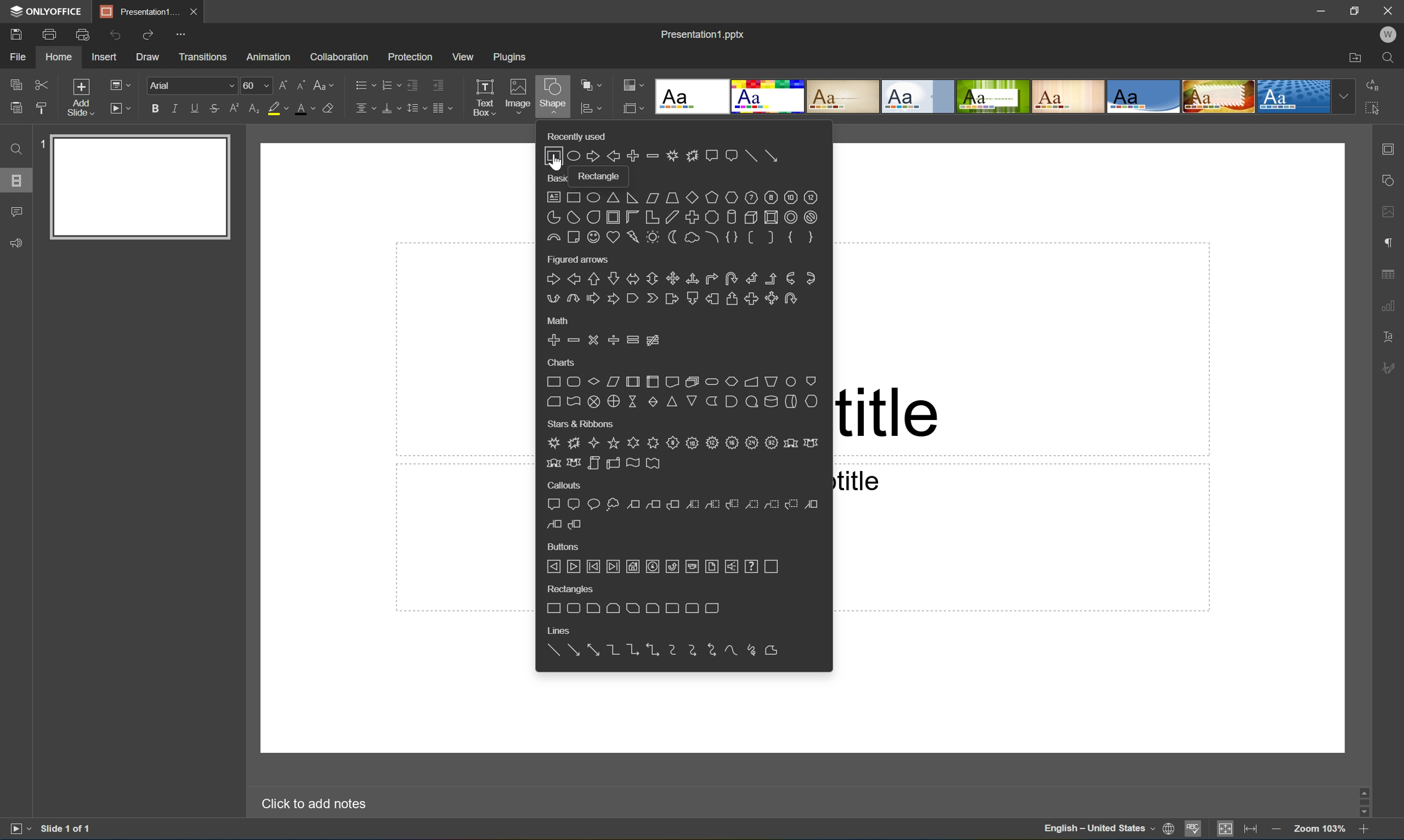 The image size is (1404, 840). Describe the element at coordinates (409, 56) in the screenshot. I see `Protection` at that location.